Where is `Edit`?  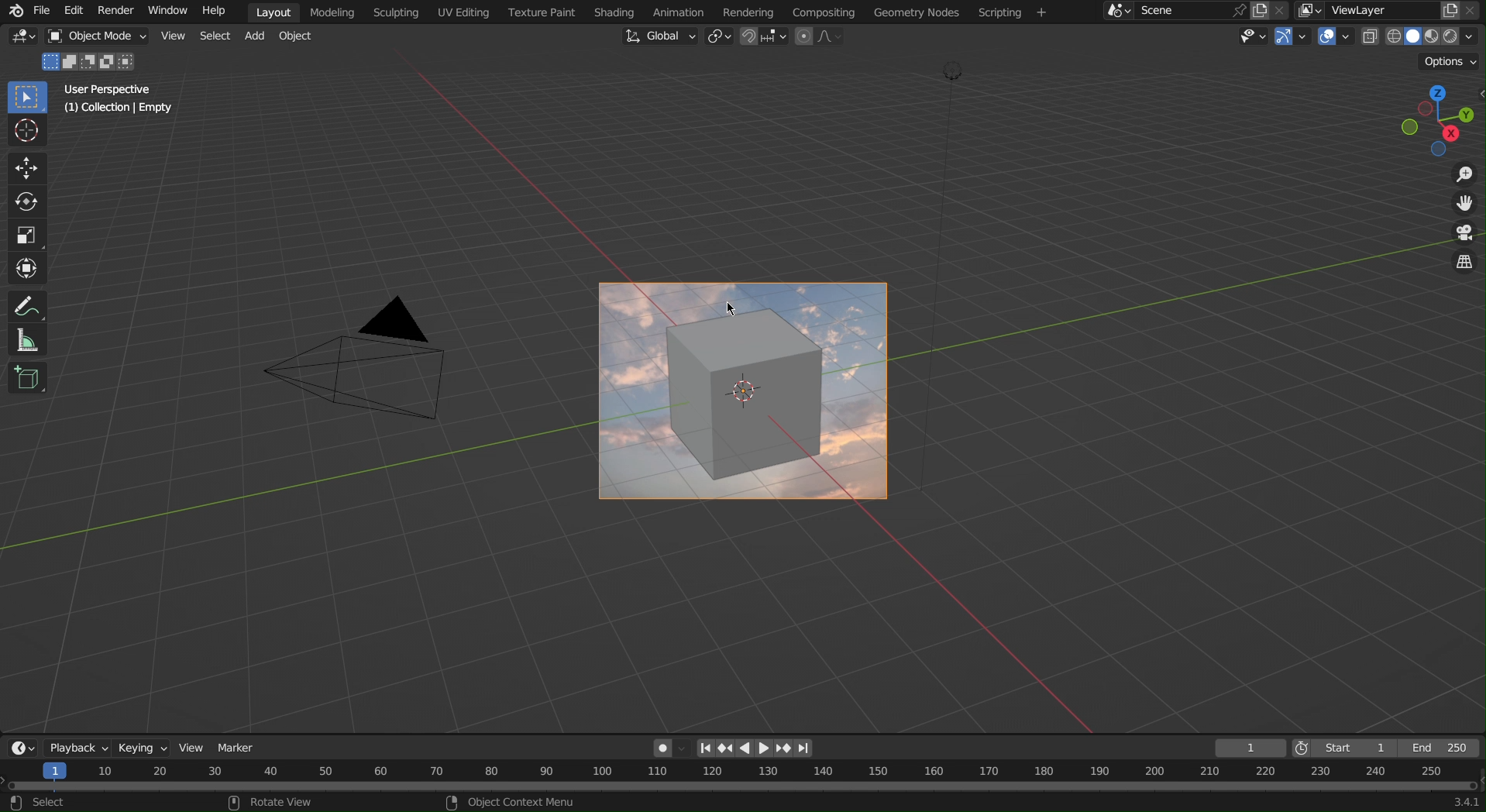
Edit is located at coordinates (74, 10).